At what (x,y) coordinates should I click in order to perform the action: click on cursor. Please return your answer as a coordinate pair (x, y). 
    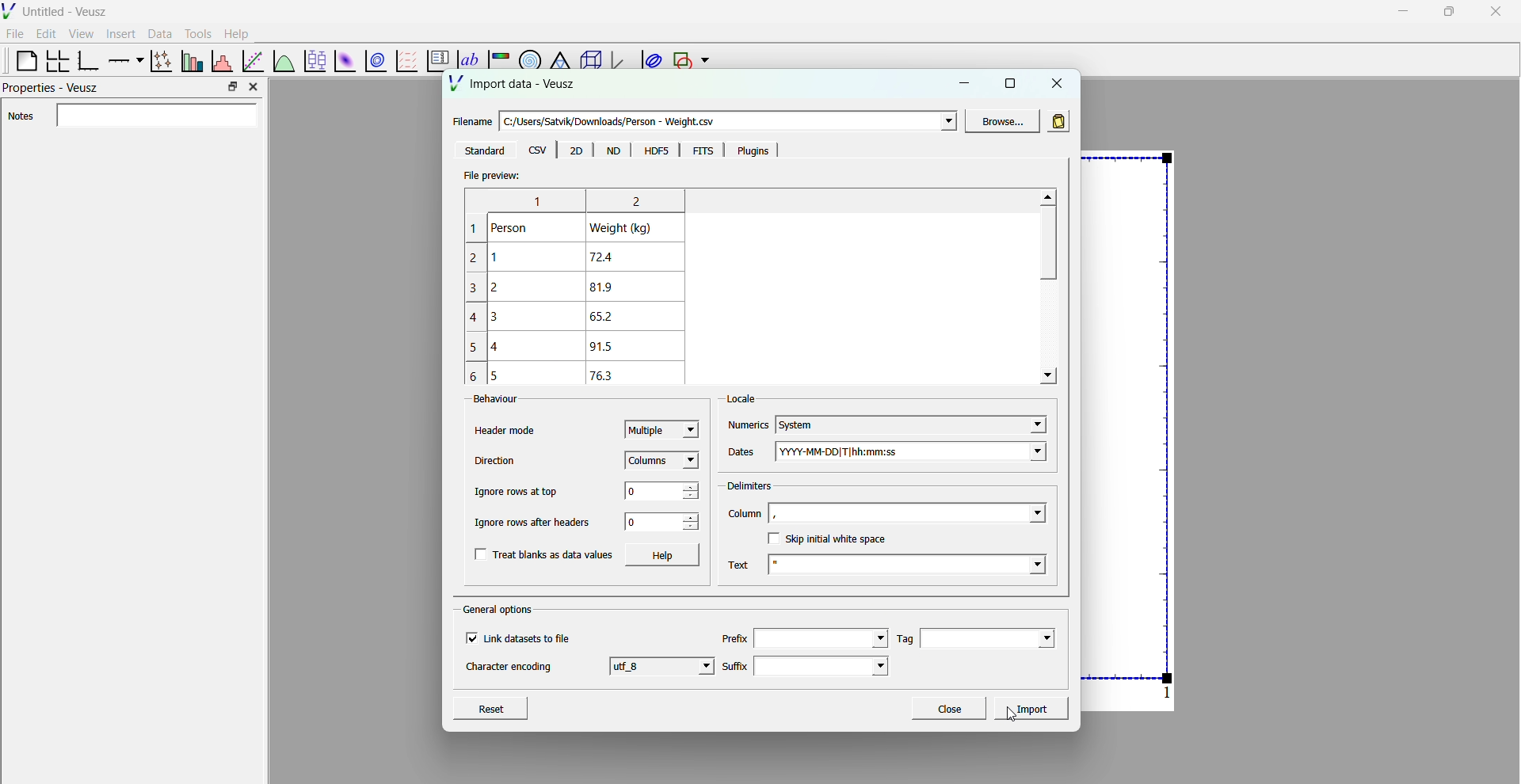
    Looking at the image, I should click on (1007, 725).